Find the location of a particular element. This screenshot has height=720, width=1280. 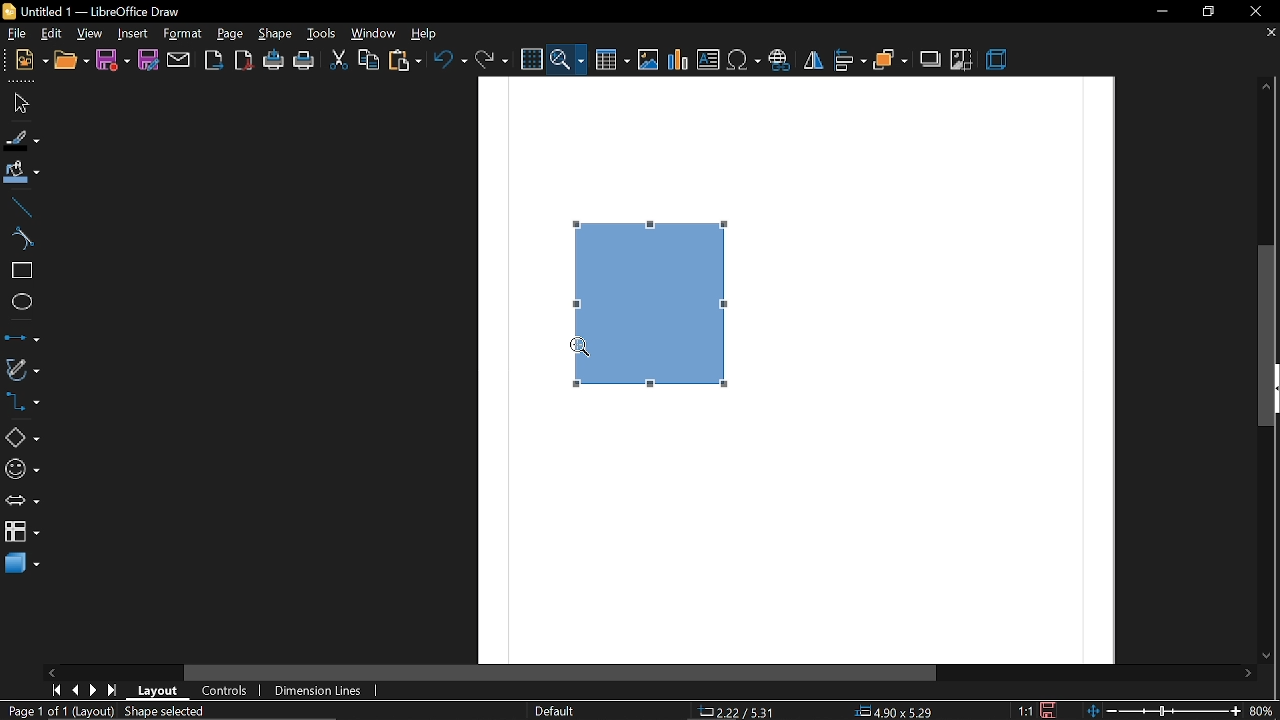

save as is located at coordinates (147, 59).